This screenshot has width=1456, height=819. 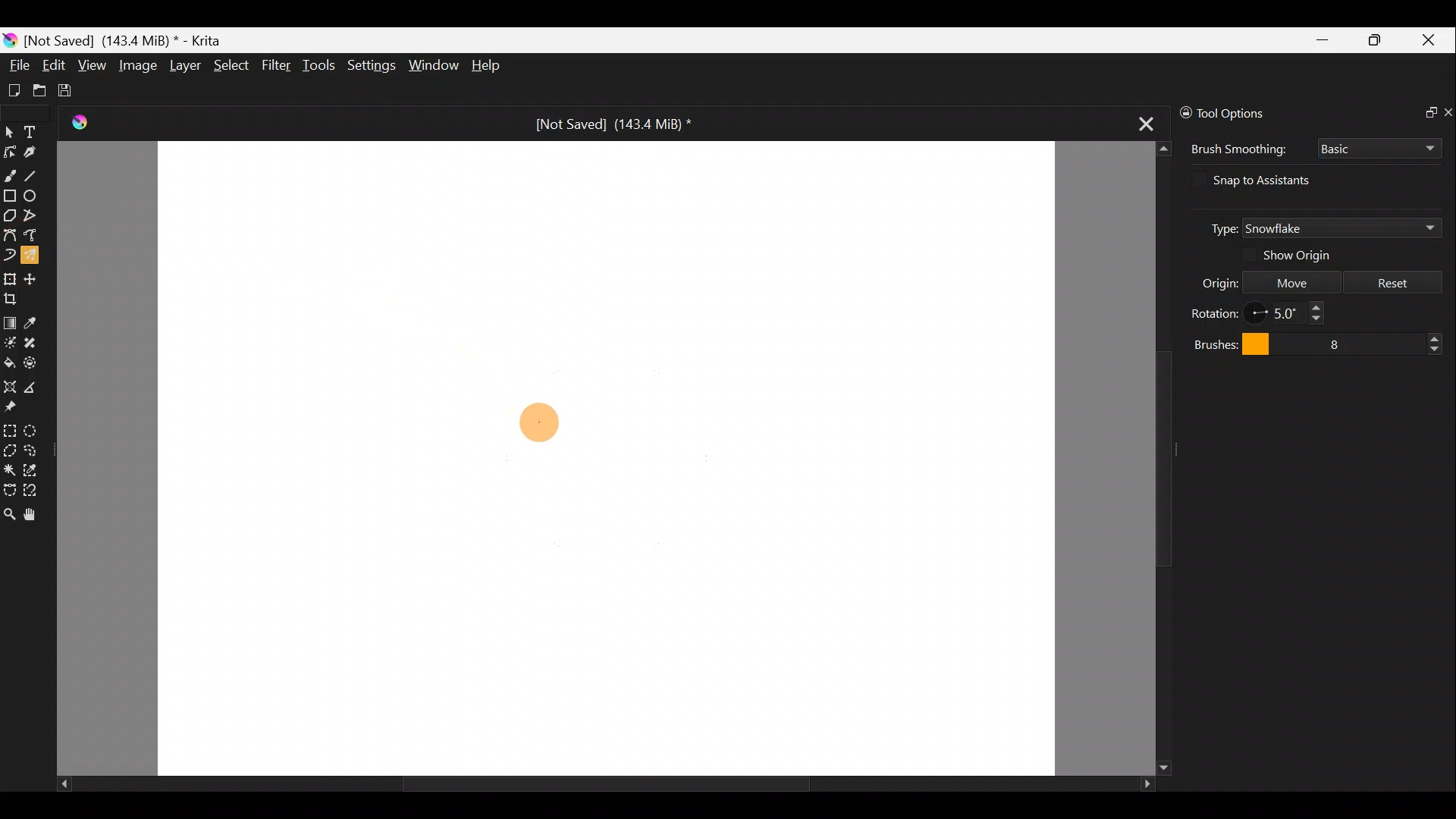 What do you see at coordinates (36, 322) in the screenshot?
I see `Sample a colour from image/current layer` at bounding box center [36, 322].